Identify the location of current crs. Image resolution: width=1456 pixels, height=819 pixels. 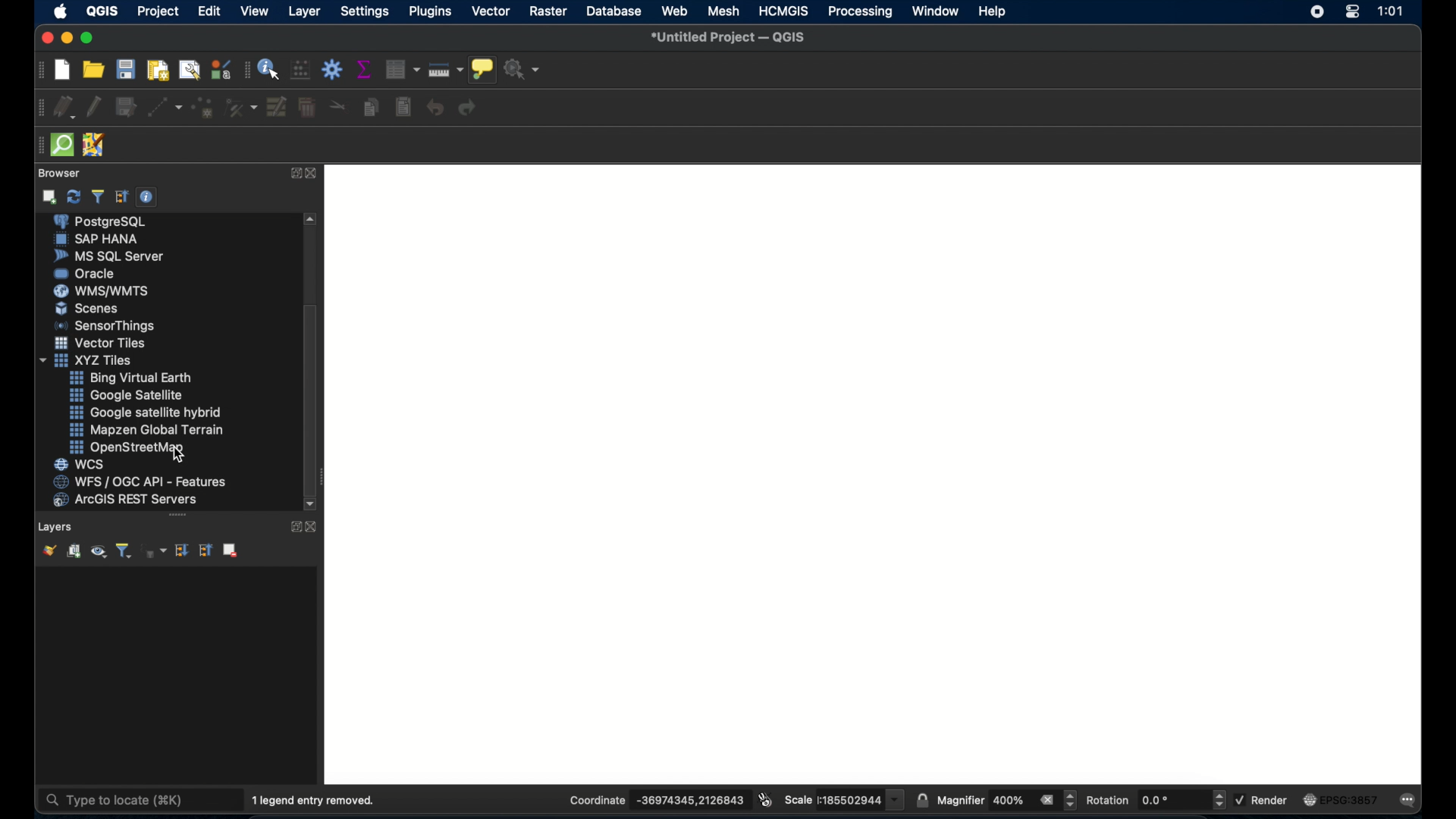
(1343, 801).